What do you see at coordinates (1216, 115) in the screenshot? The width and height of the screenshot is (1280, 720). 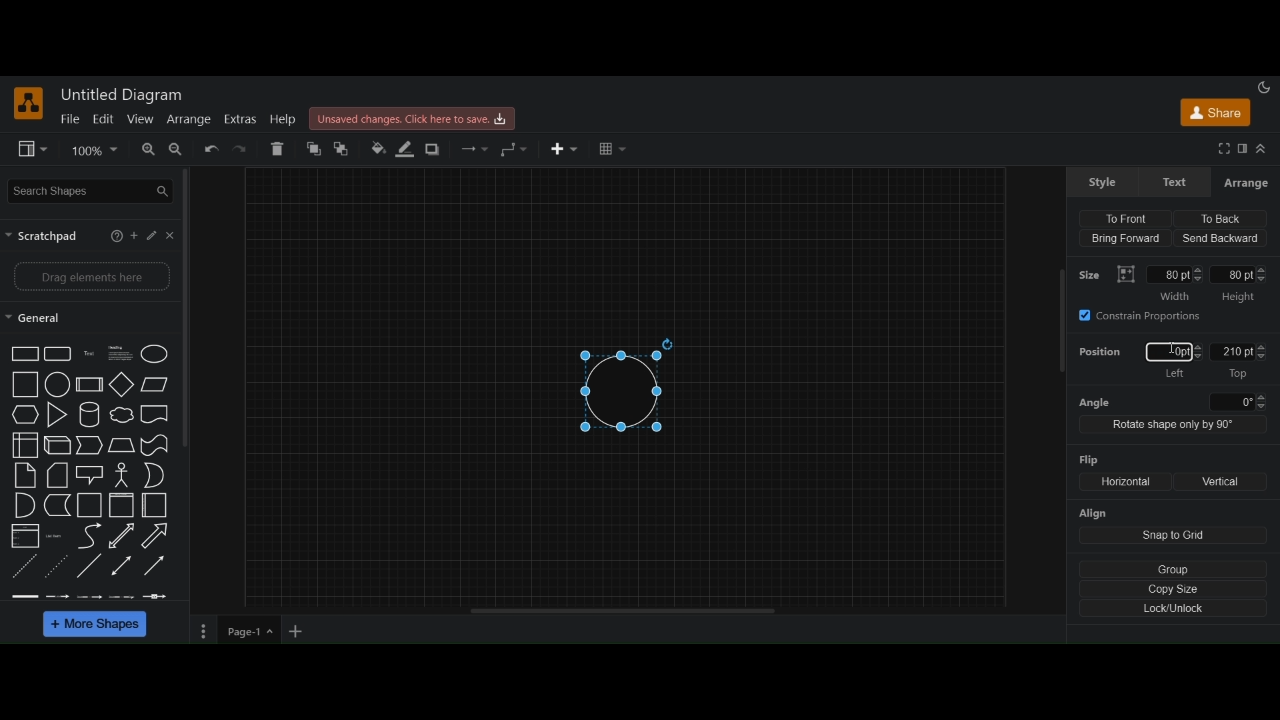 I see `share` at bounding box center [1216, 115].